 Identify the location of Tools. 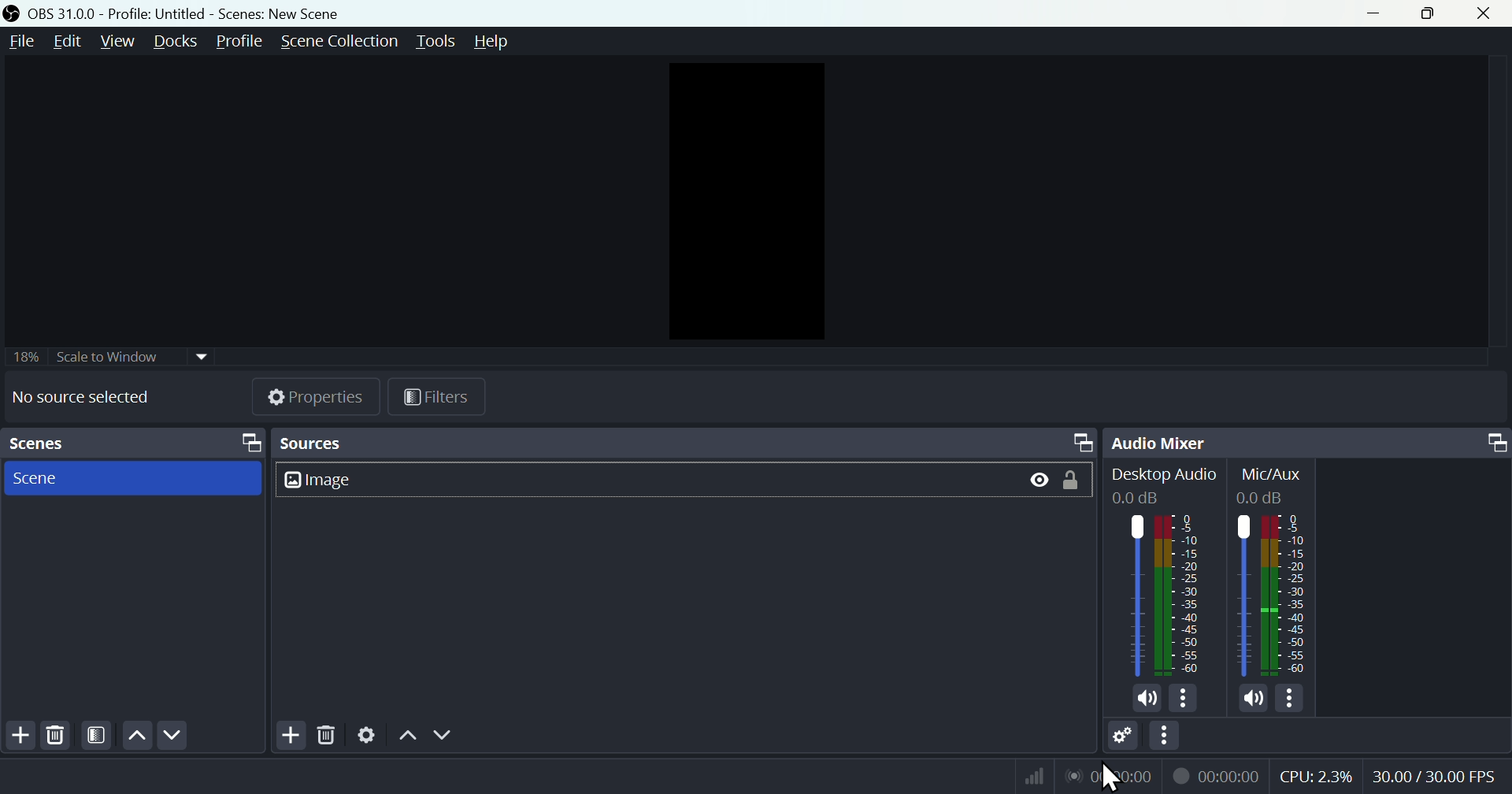
(439, 40).